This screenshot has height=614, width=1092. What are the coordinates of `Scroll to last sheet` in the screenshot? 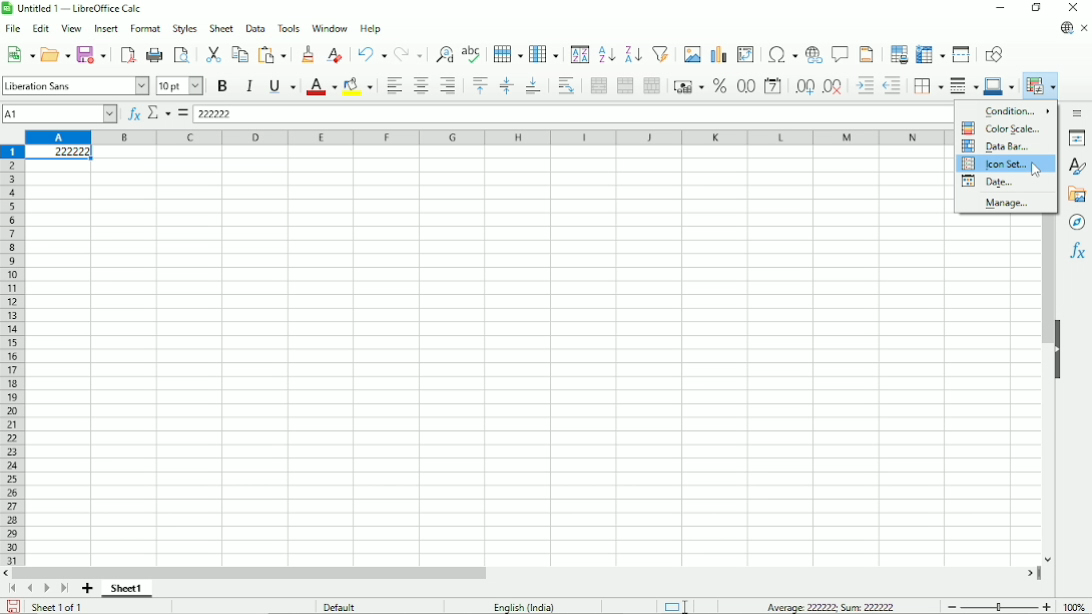 It's located at (64, 589).